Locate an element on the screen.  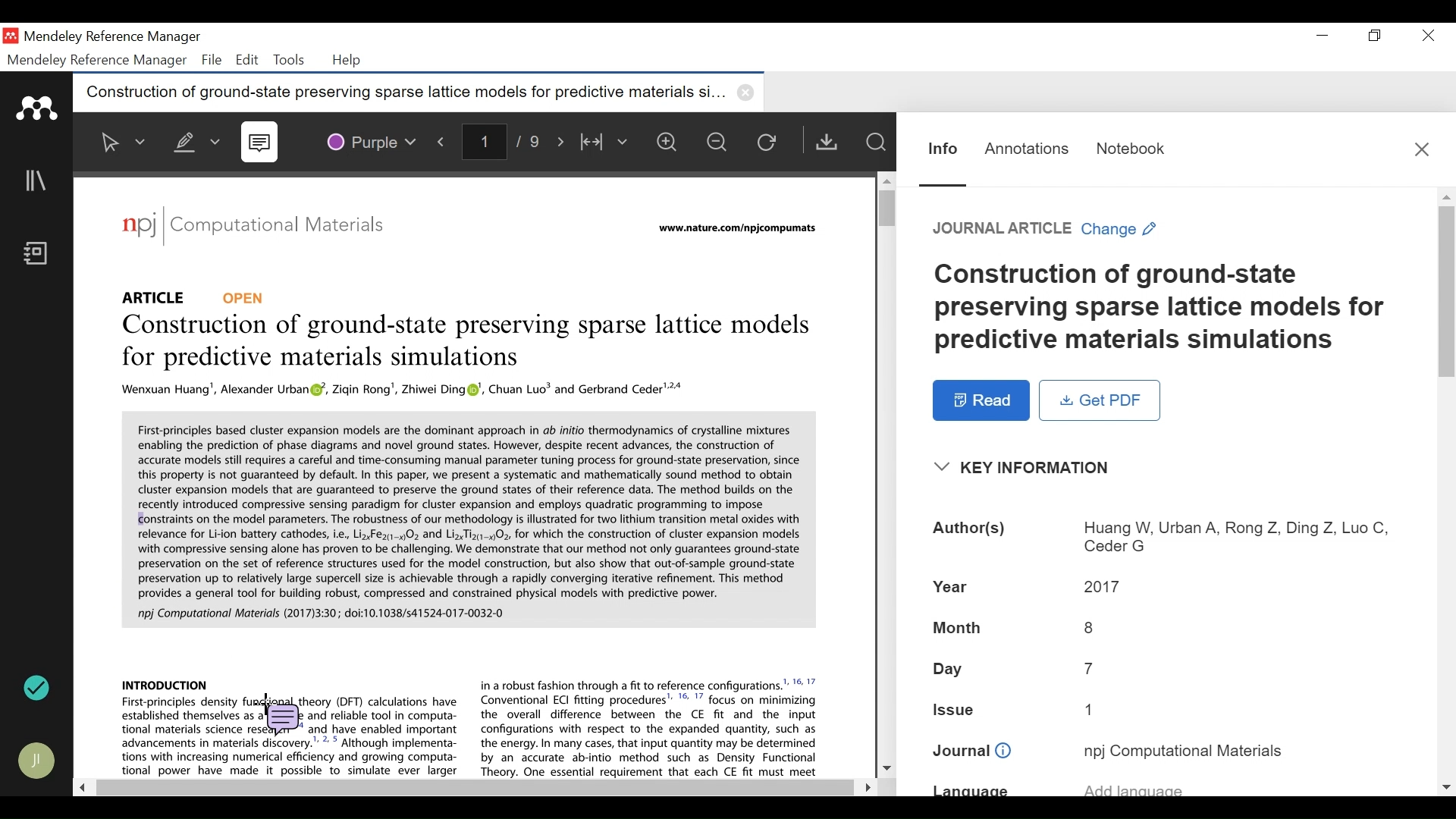
Scroll up is located at coordinates (886, 178).